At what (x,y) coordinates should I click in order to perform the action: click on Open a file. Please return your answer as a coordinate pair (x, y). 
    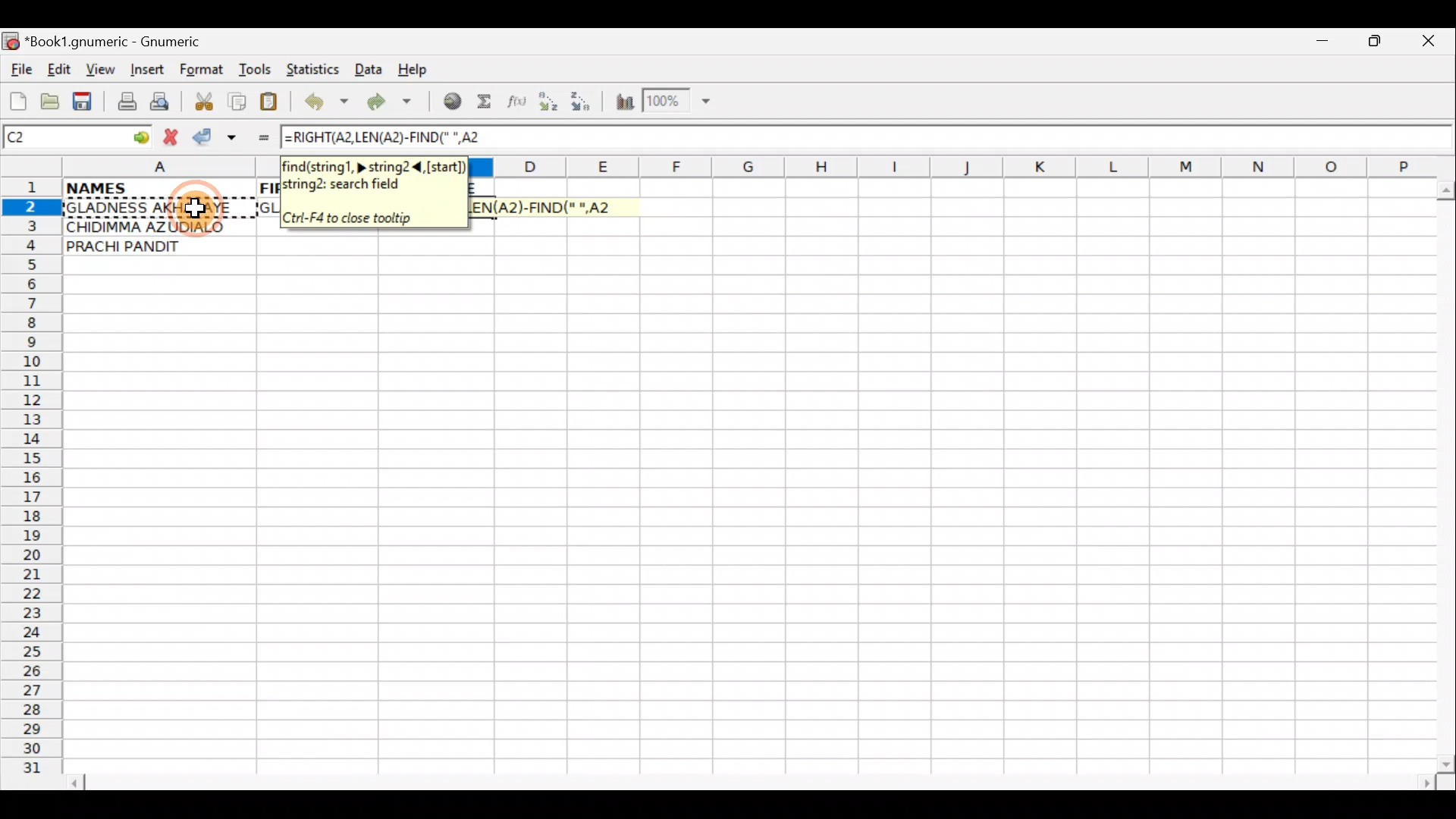
    Looking at the image, I should click on (53, 99).